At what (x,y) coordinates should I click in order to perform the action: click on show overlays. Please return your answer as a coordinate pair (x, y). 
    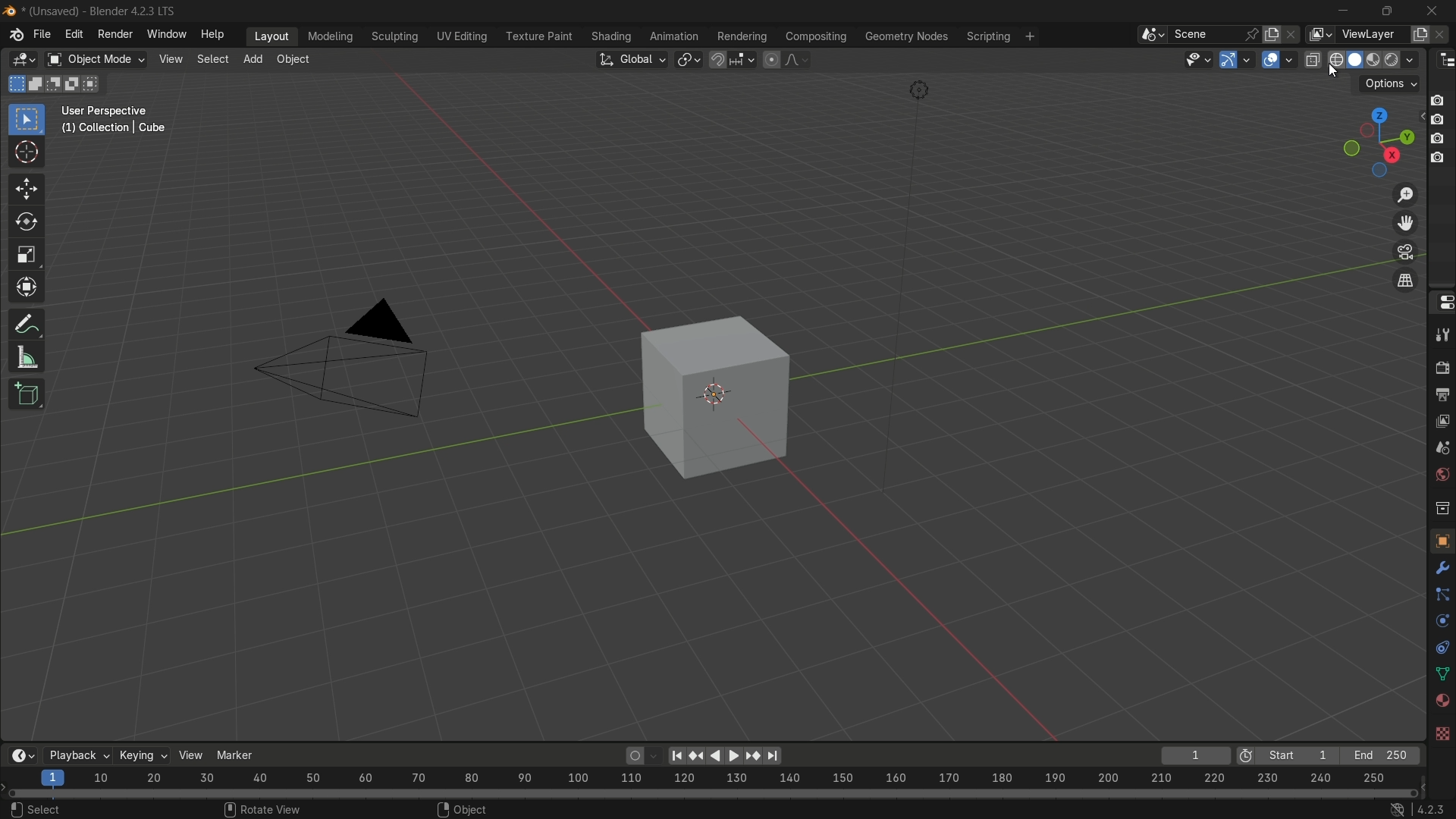
    Looking at the image, I should click on (1276, 61).